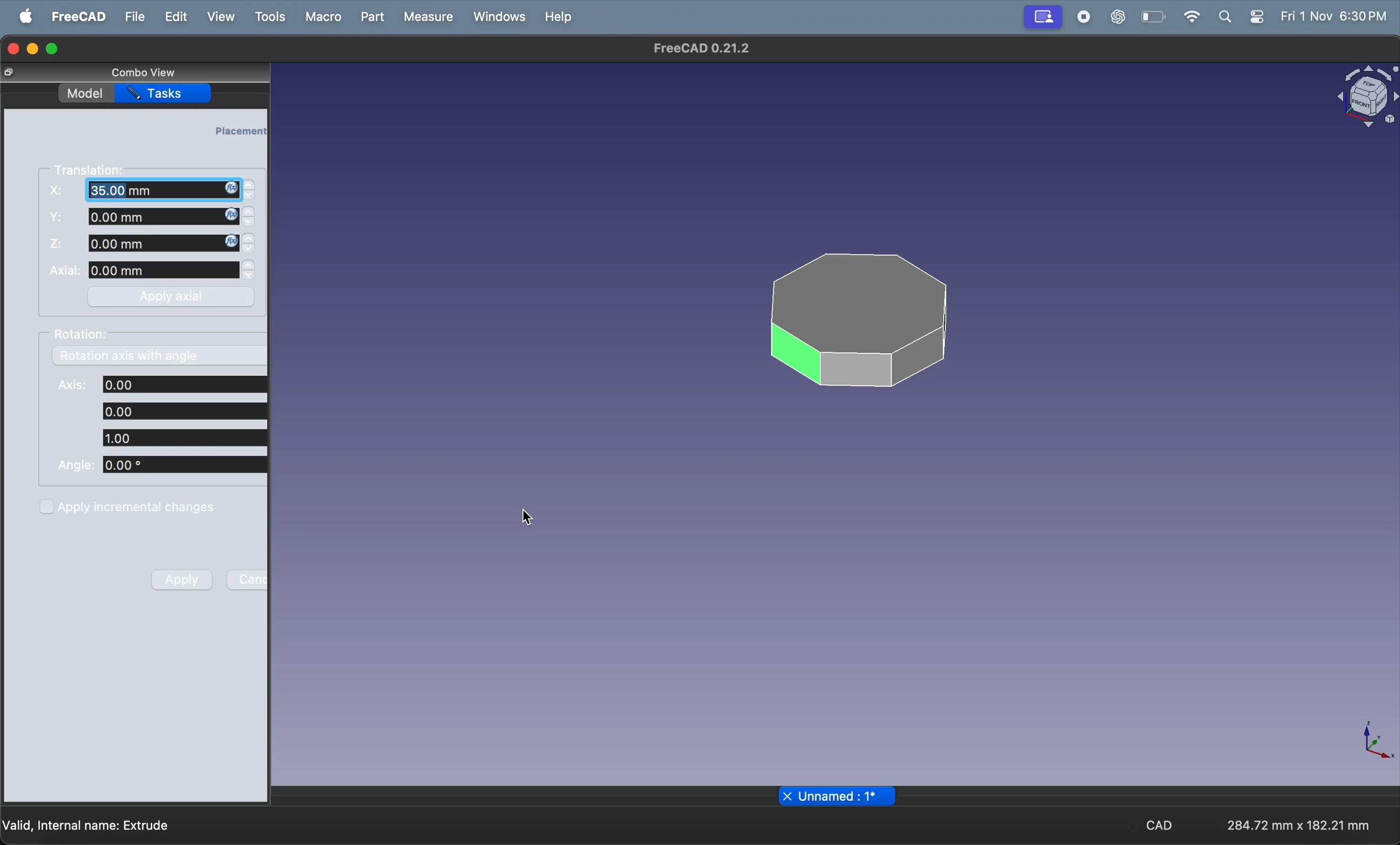  I want to click on Axis: 0.00, so click(162, 384).